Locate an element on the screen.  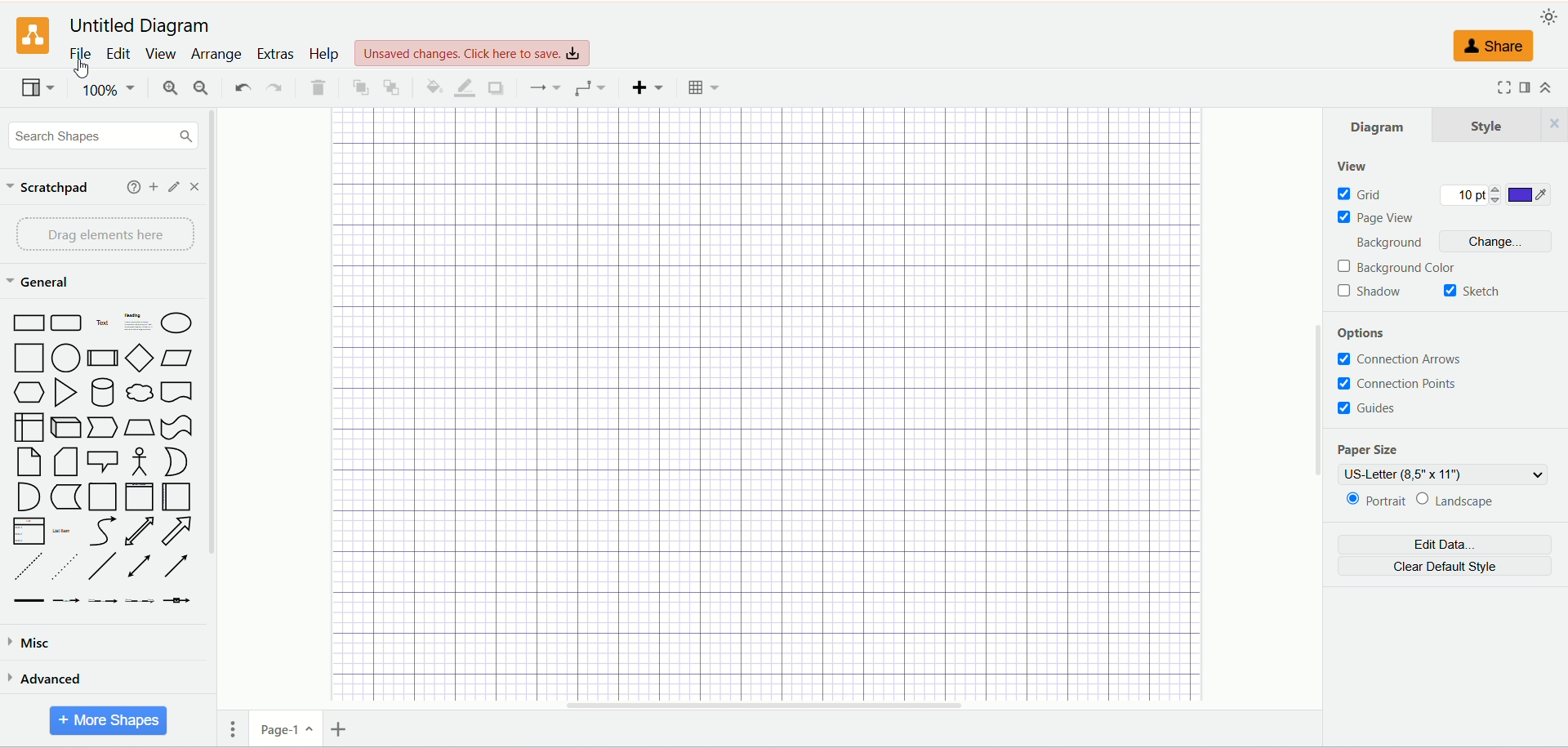
Directional Connector is located at coordinates (177, 567).